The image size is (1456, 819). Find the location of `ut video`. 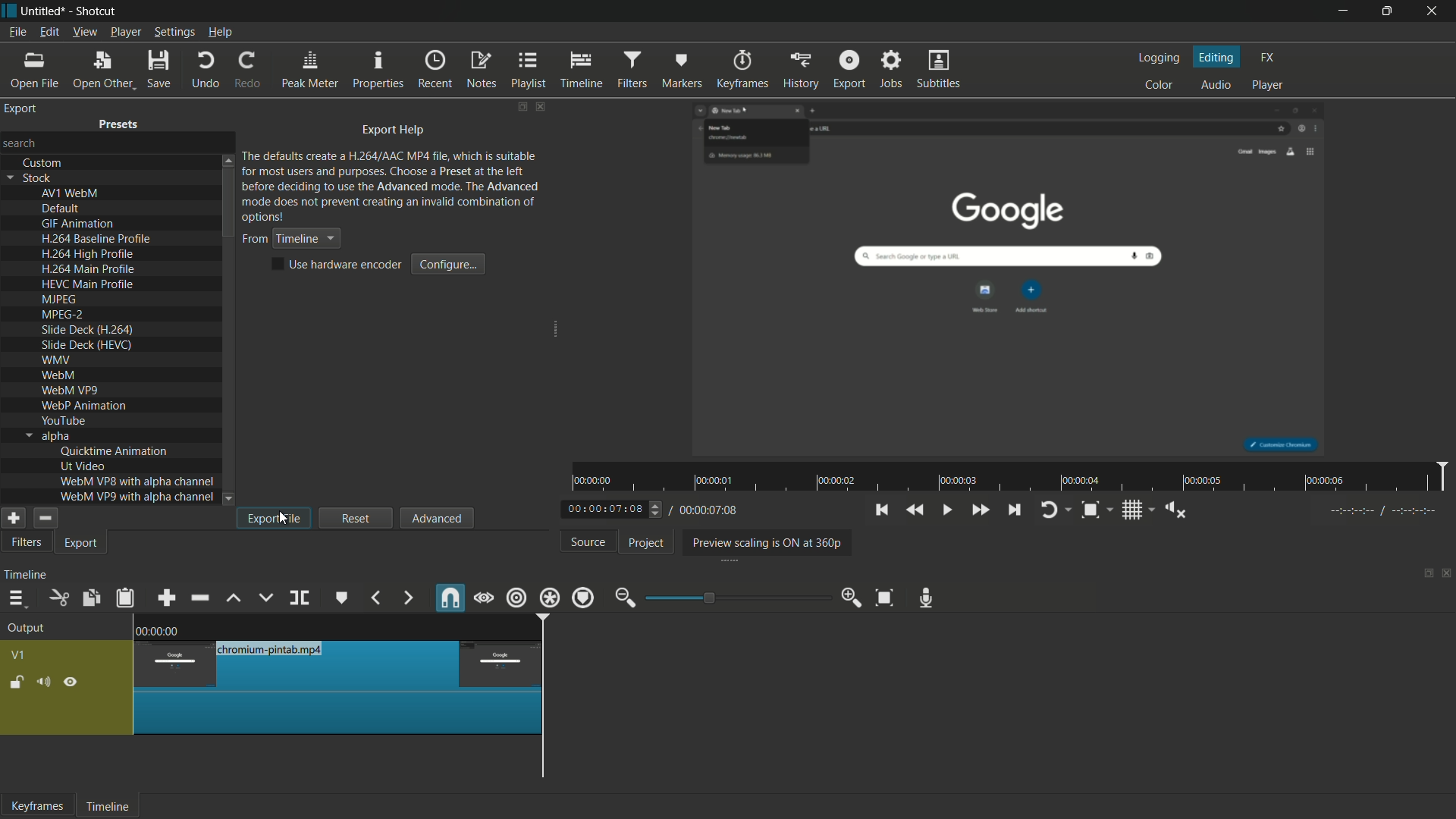

ut video is located at coordinates (83, 466).